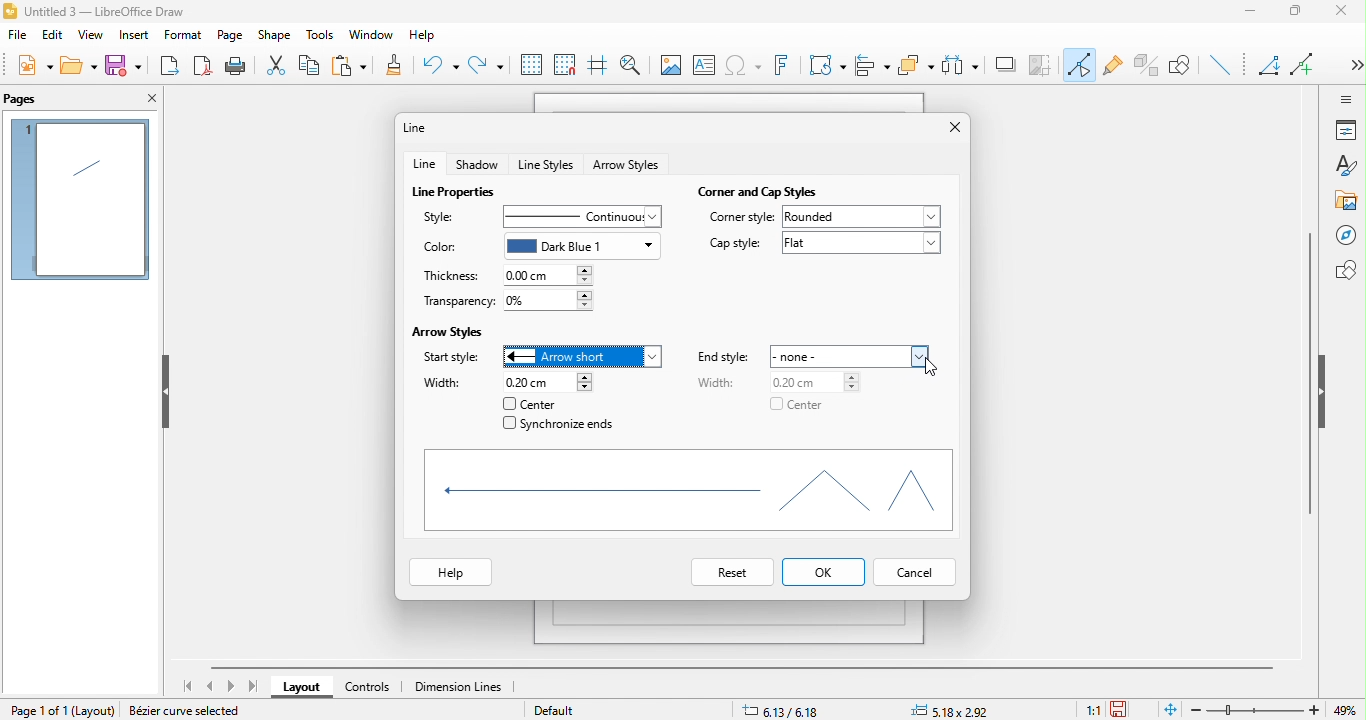 The image size is (1366, 720). What do you see at coordinates (783, 710) in the screenshot?
I see `6.13/6.18` at bounding box center [783, 710].